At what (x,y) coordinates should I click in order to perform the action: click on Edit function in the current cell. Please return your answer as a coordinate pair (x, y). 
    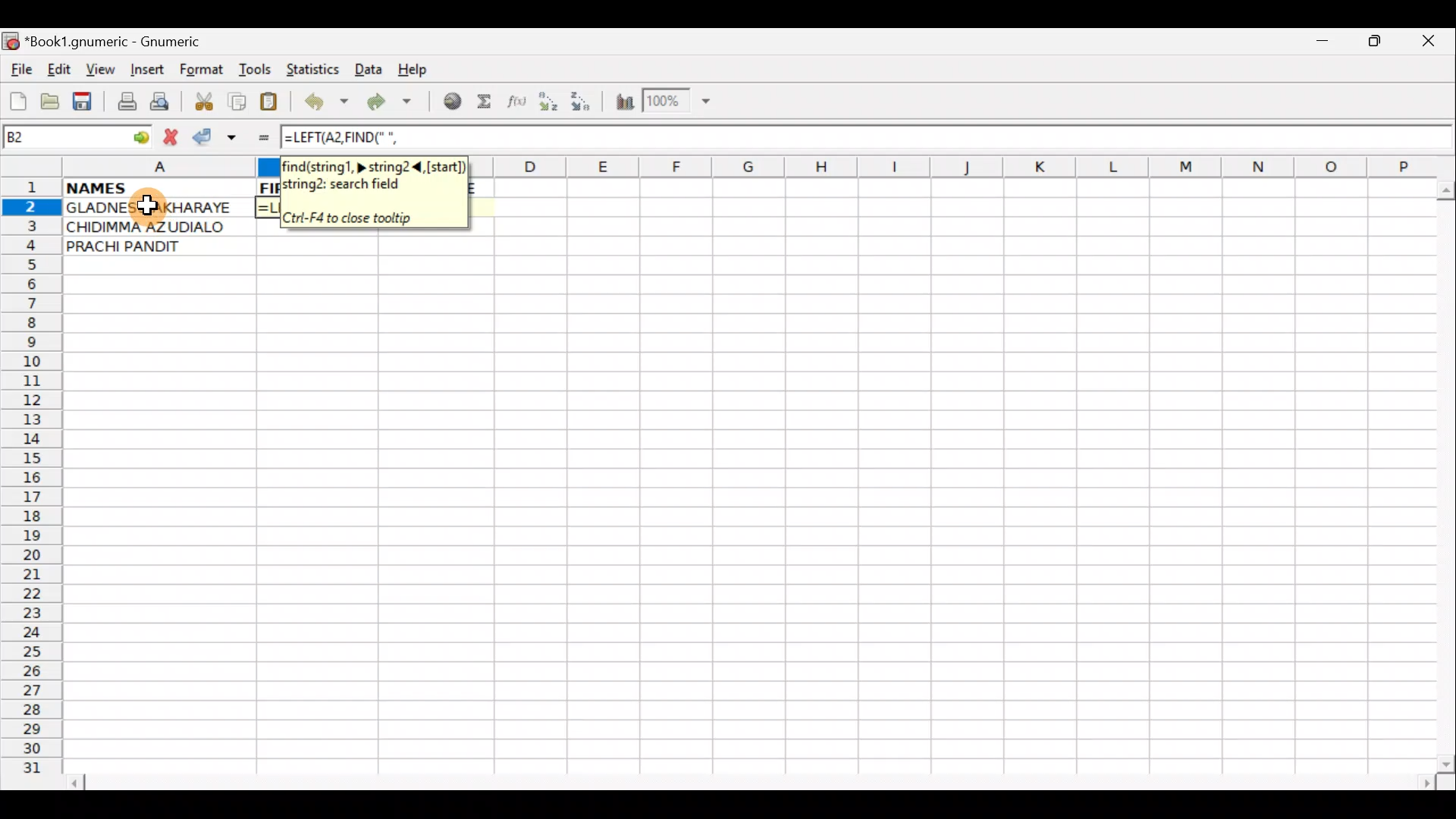
    Looking at the image, I should click on (519, 105).